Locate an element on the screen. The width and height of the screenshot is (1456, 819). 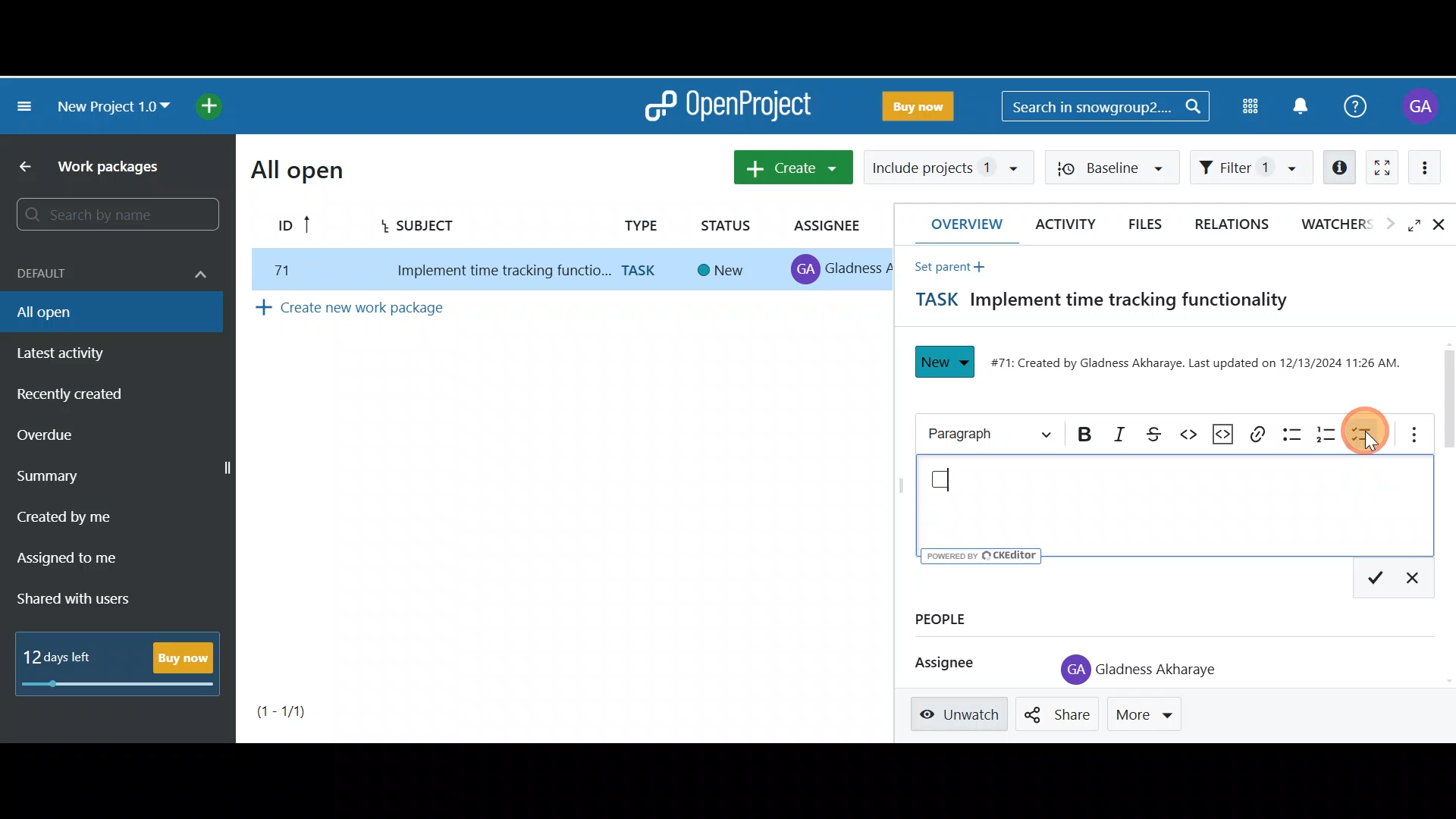
Search bar is located at coordinates (113, 215).